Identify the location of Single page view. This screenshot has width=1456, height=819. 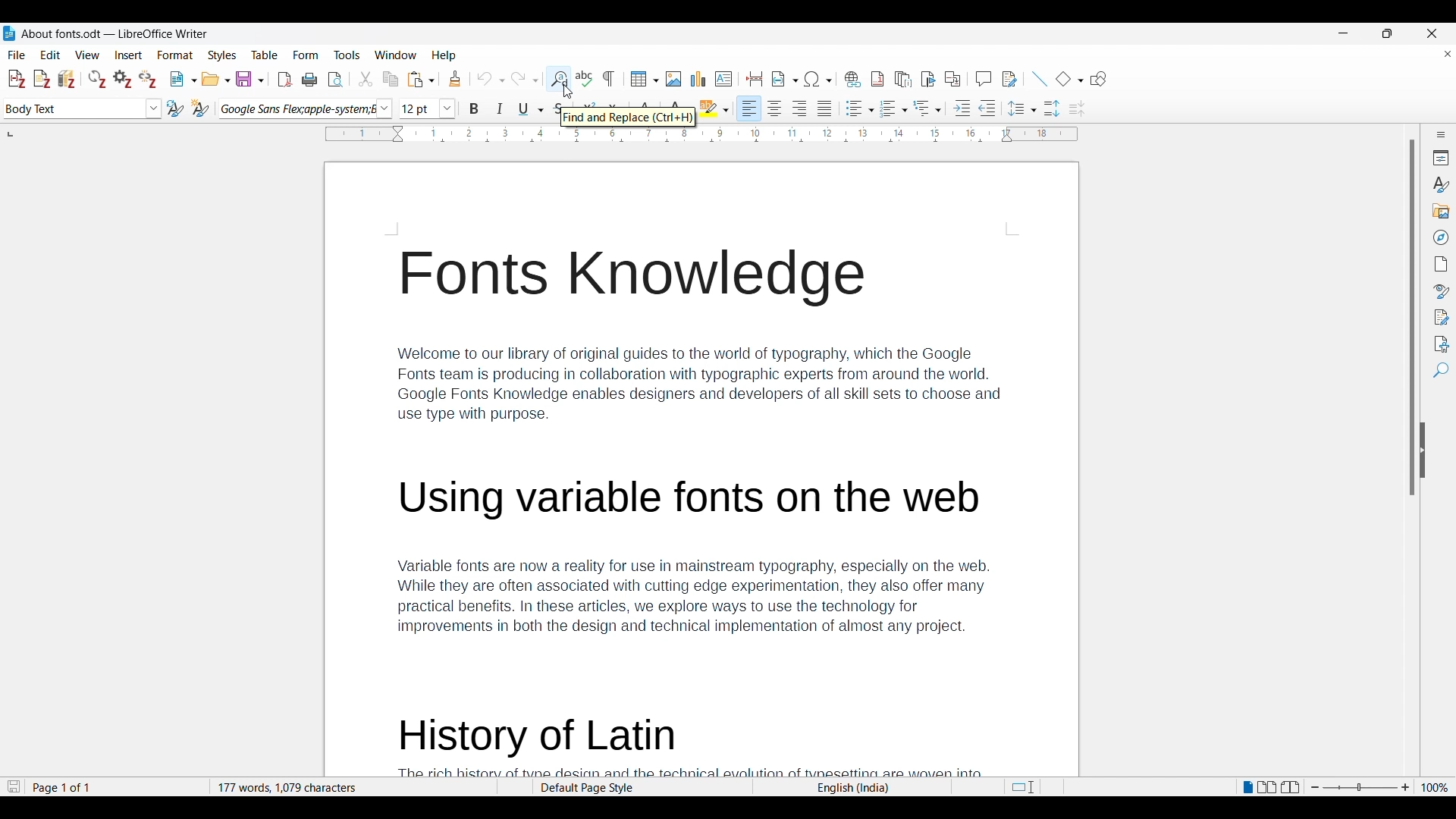
(1247, 788).